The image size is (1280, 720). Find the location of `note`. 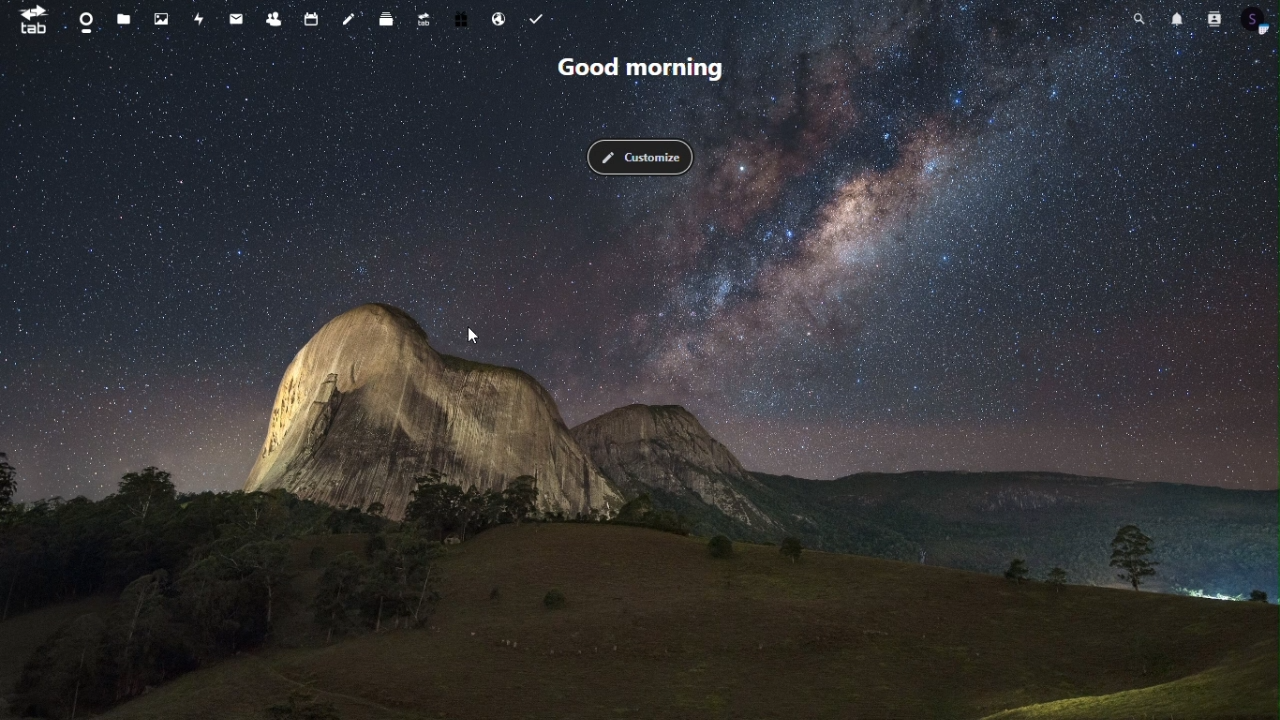

note is located at coordinates (349, 17).